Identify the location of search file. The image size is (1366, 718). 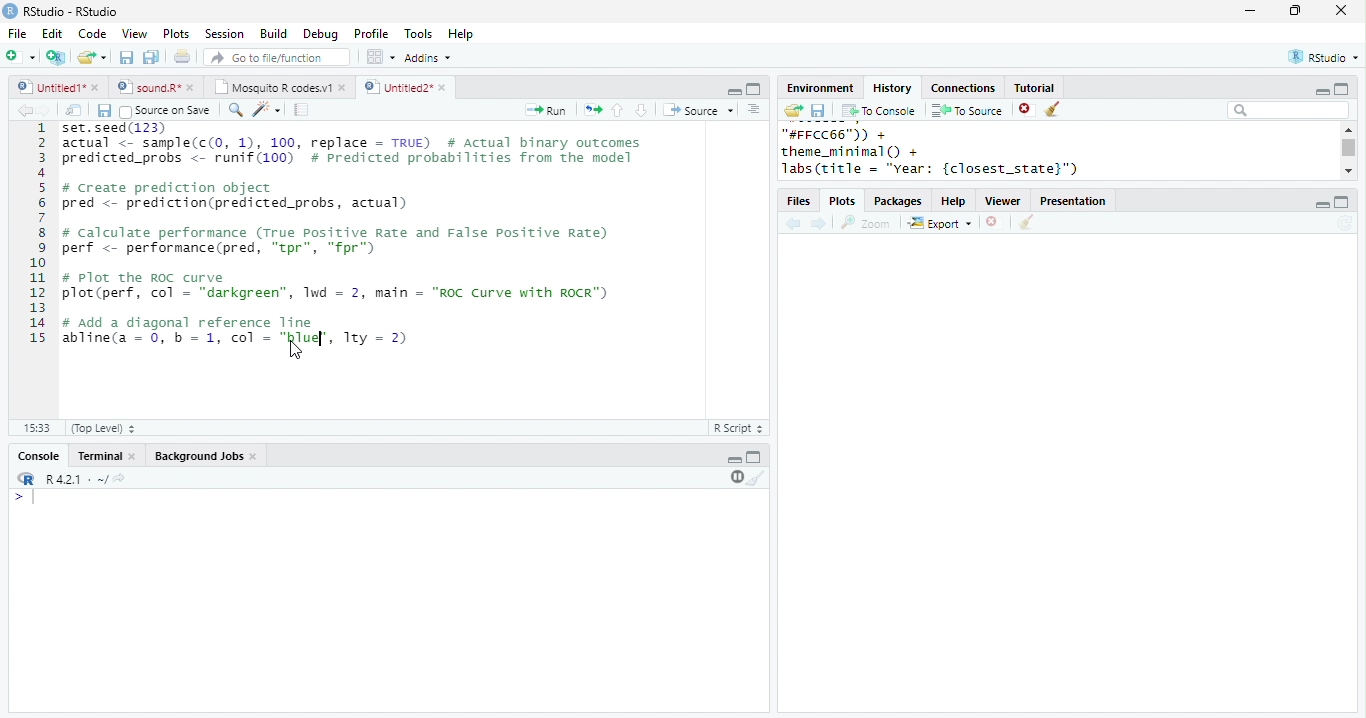
(278, 57).